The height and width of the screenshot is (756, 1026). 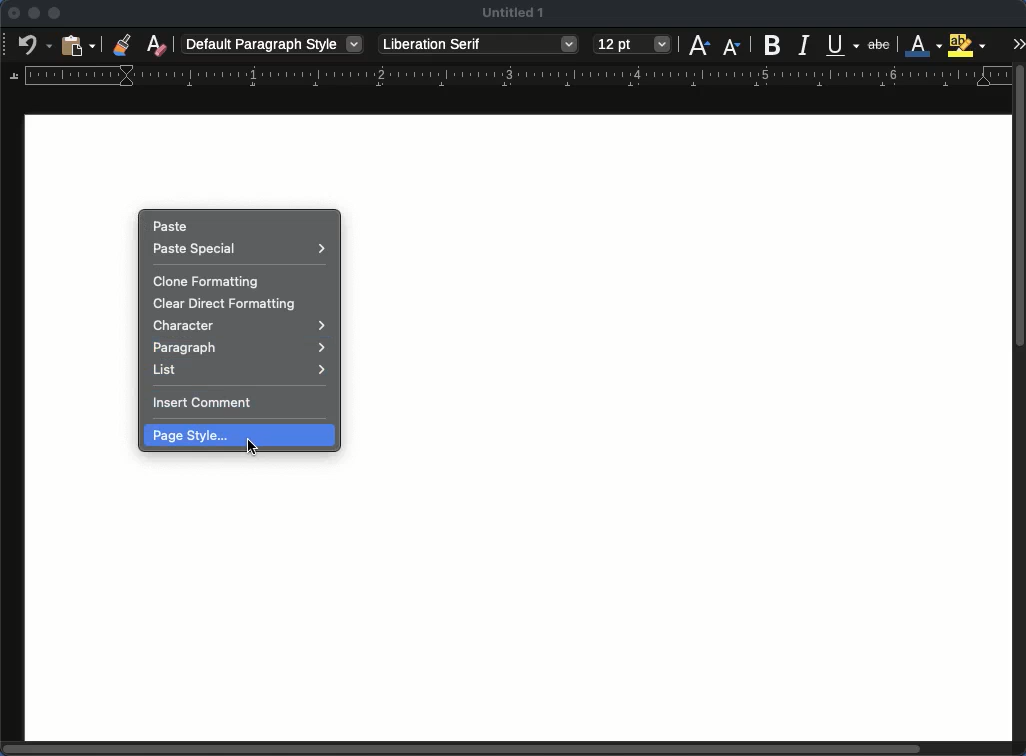 What do you see at coordinates (1021, 410) in the screenshot?
I see `scroll` at bounding box center [1021, 410].